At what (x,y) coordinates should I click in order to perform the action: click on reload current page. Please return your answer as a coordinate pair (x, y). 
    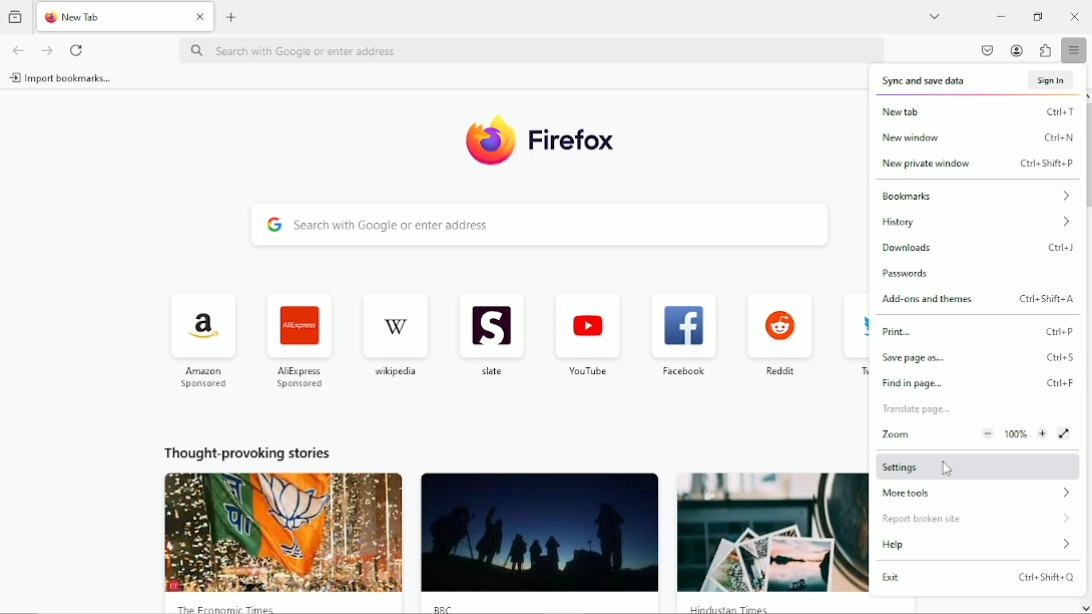
    Looking at the image, I should click on (79, 49).